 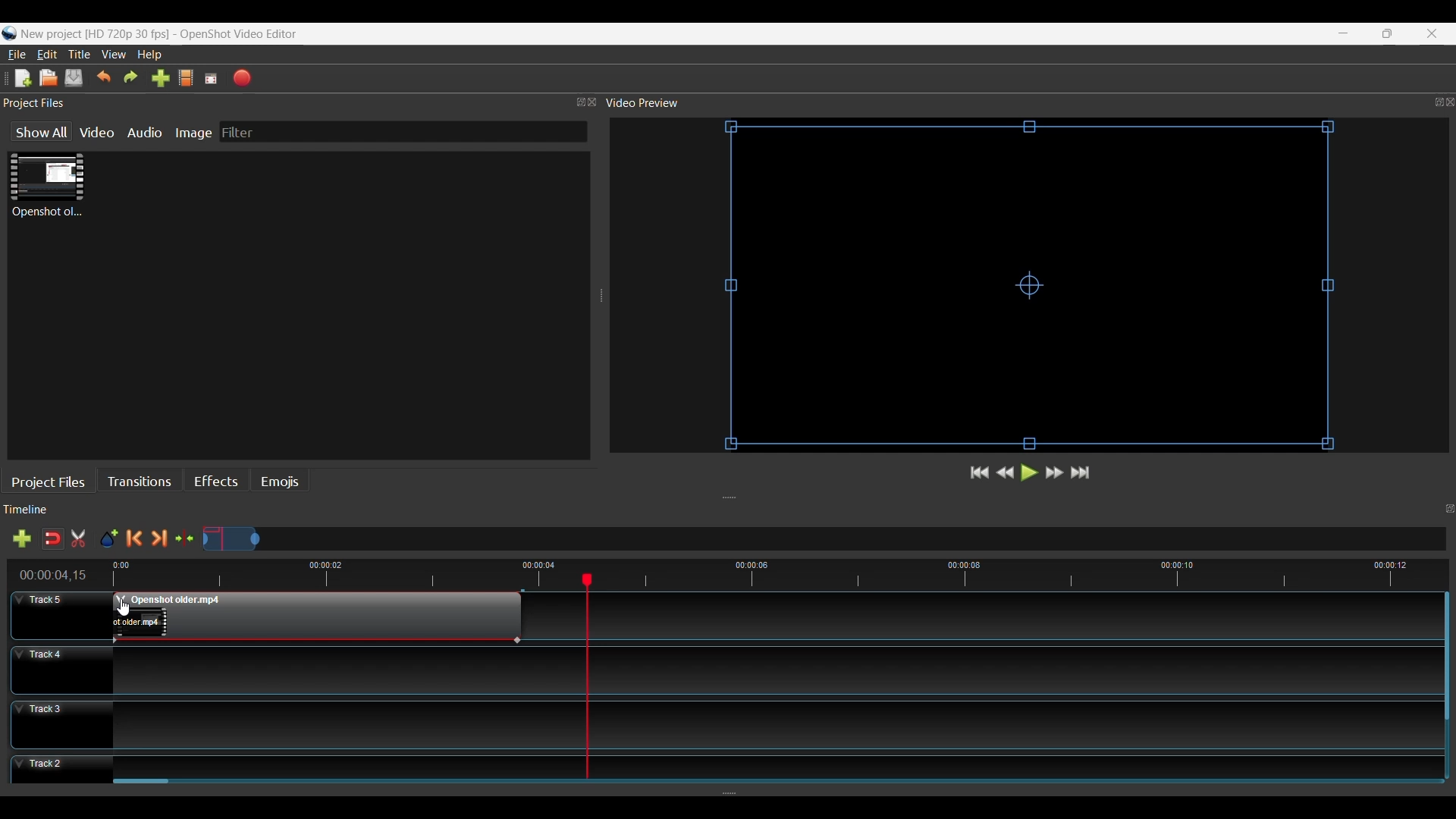 I want to click on Add Marker, so click(x=108, y=539).